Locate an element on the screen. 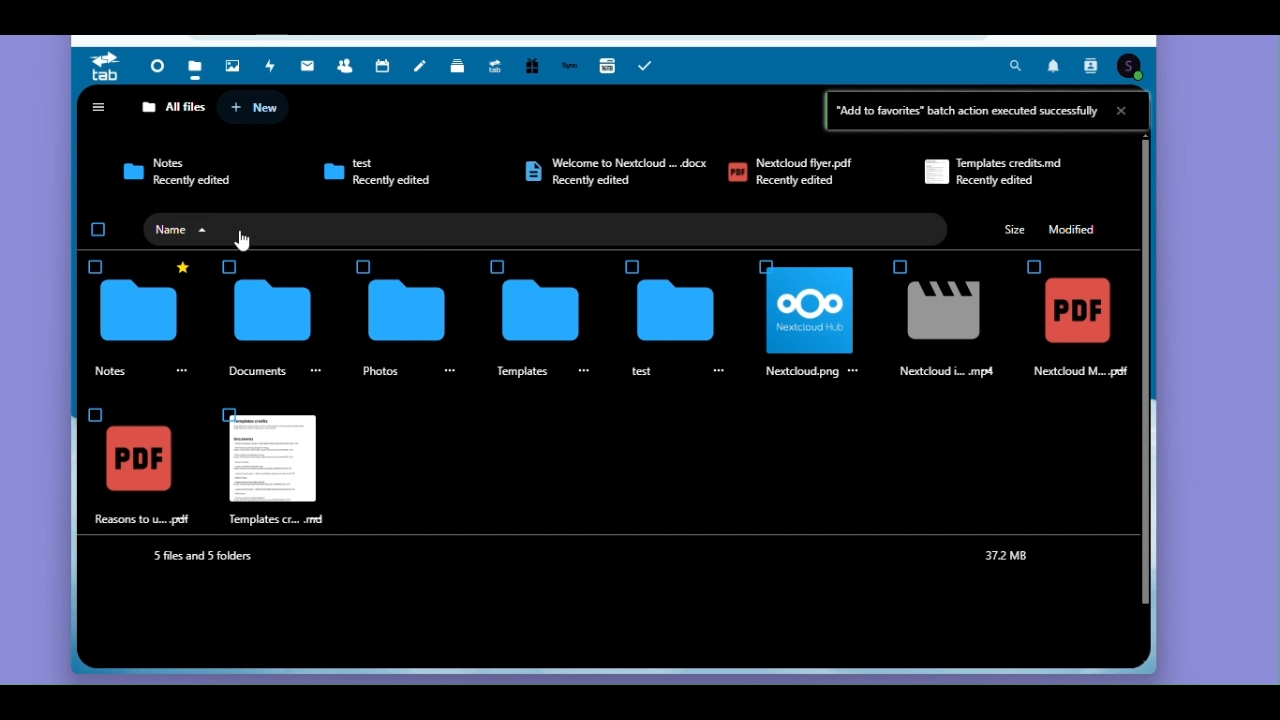  Favourite file is located at coordinates (137, 312).